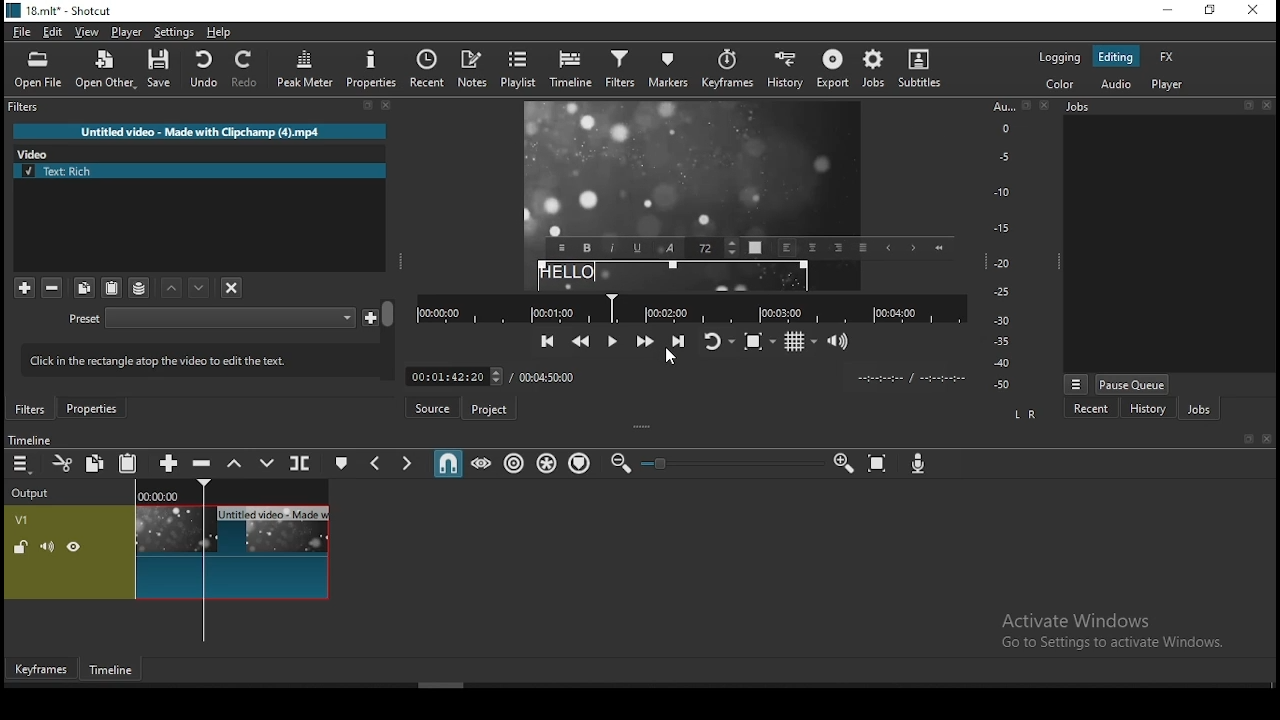  What do you see at coordinates (55, 33) in the screenshot?
I see `edit` at bounding box center [55, 33].